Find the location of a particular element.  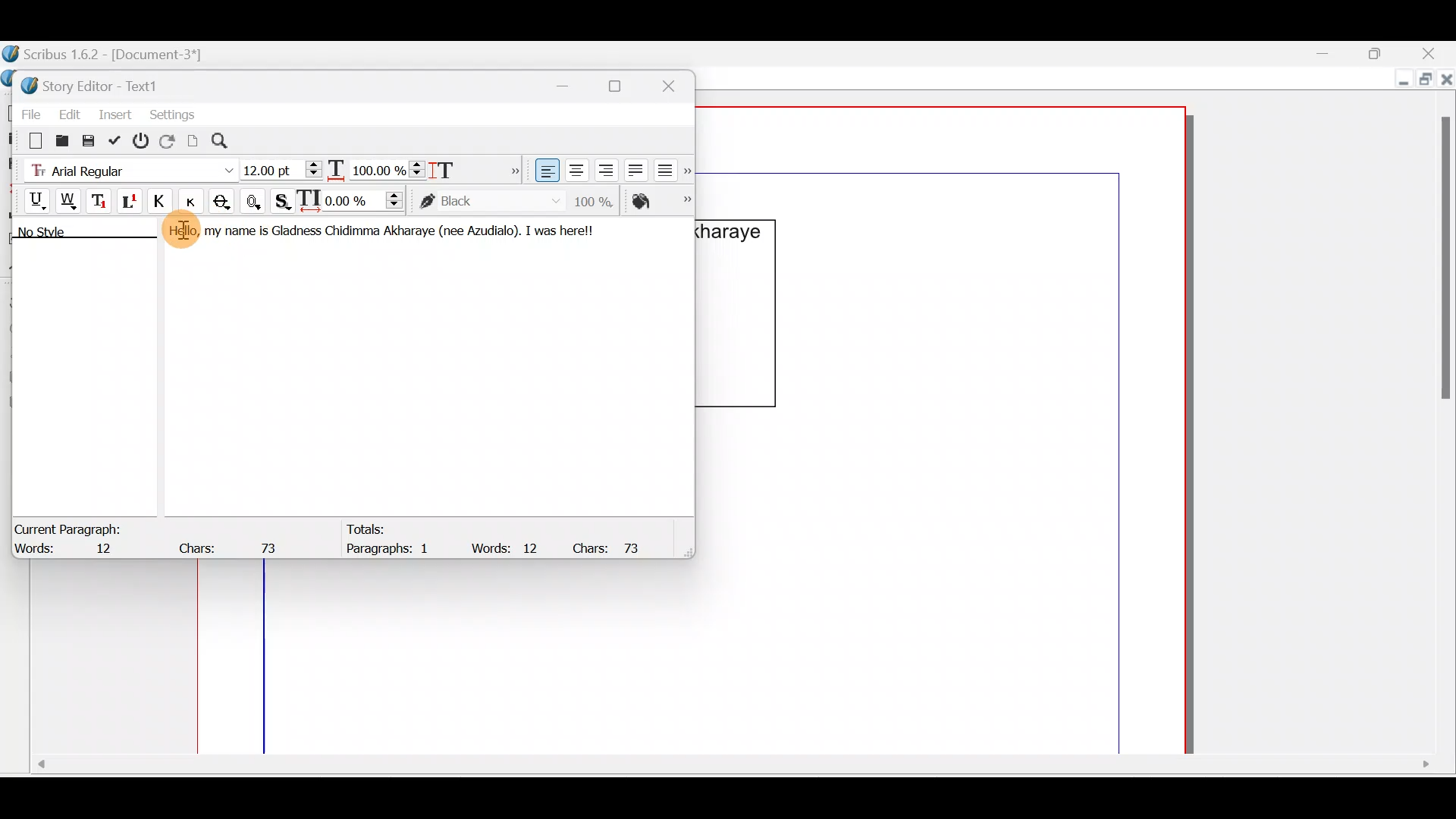

Align text center is located at coordinates (575, 168).